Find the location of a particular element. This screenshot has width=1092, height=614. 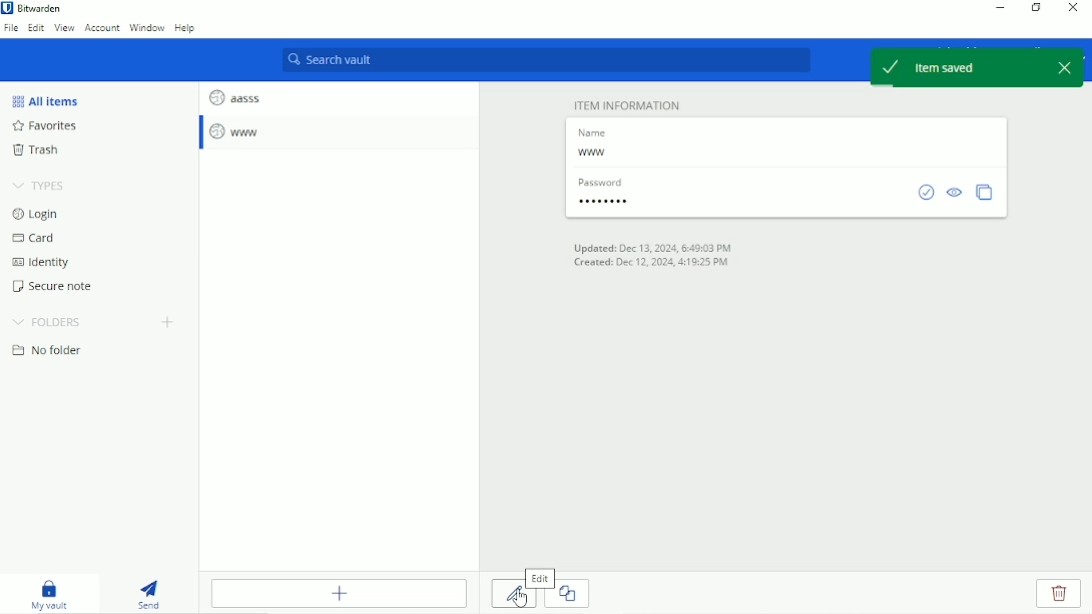

Trash is located at coordinates (35, 152).